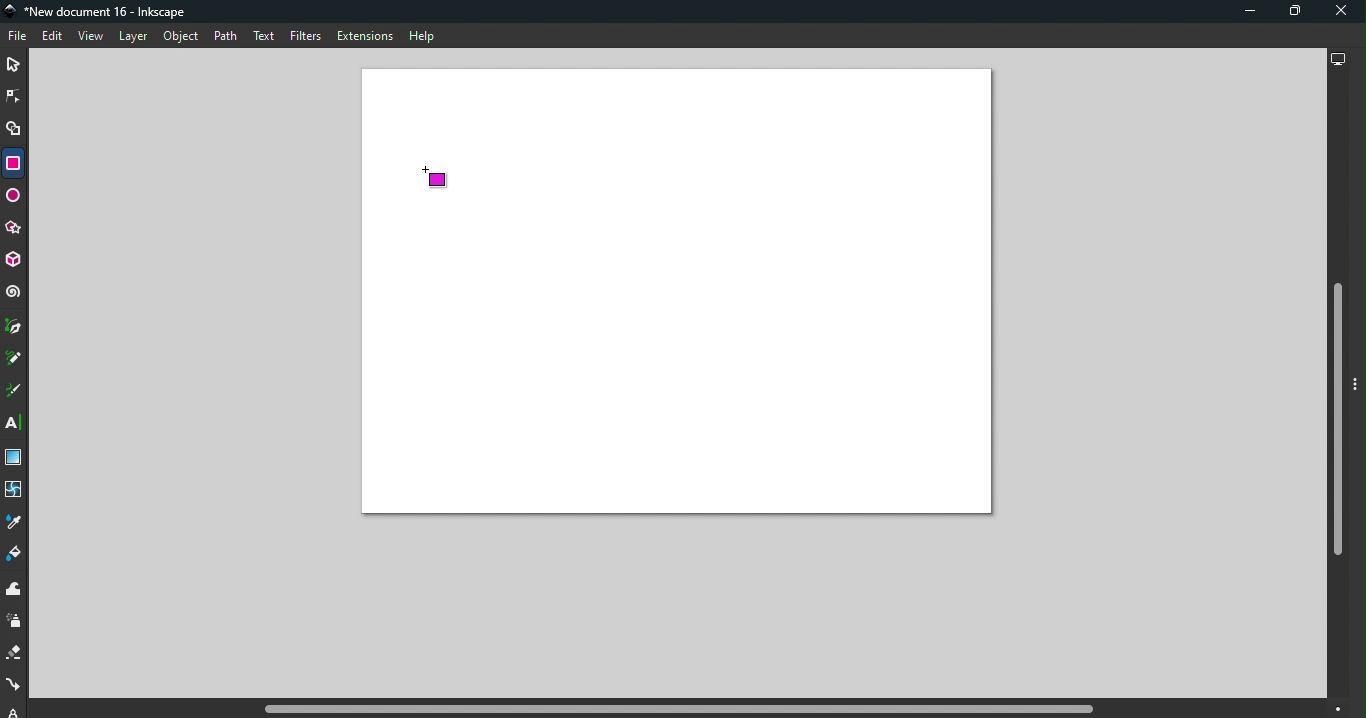 The height and width of the screenshot is (718, 1366). Describe the element at coordinates (225, 38) in the screenshot. I see `Path` at that location.